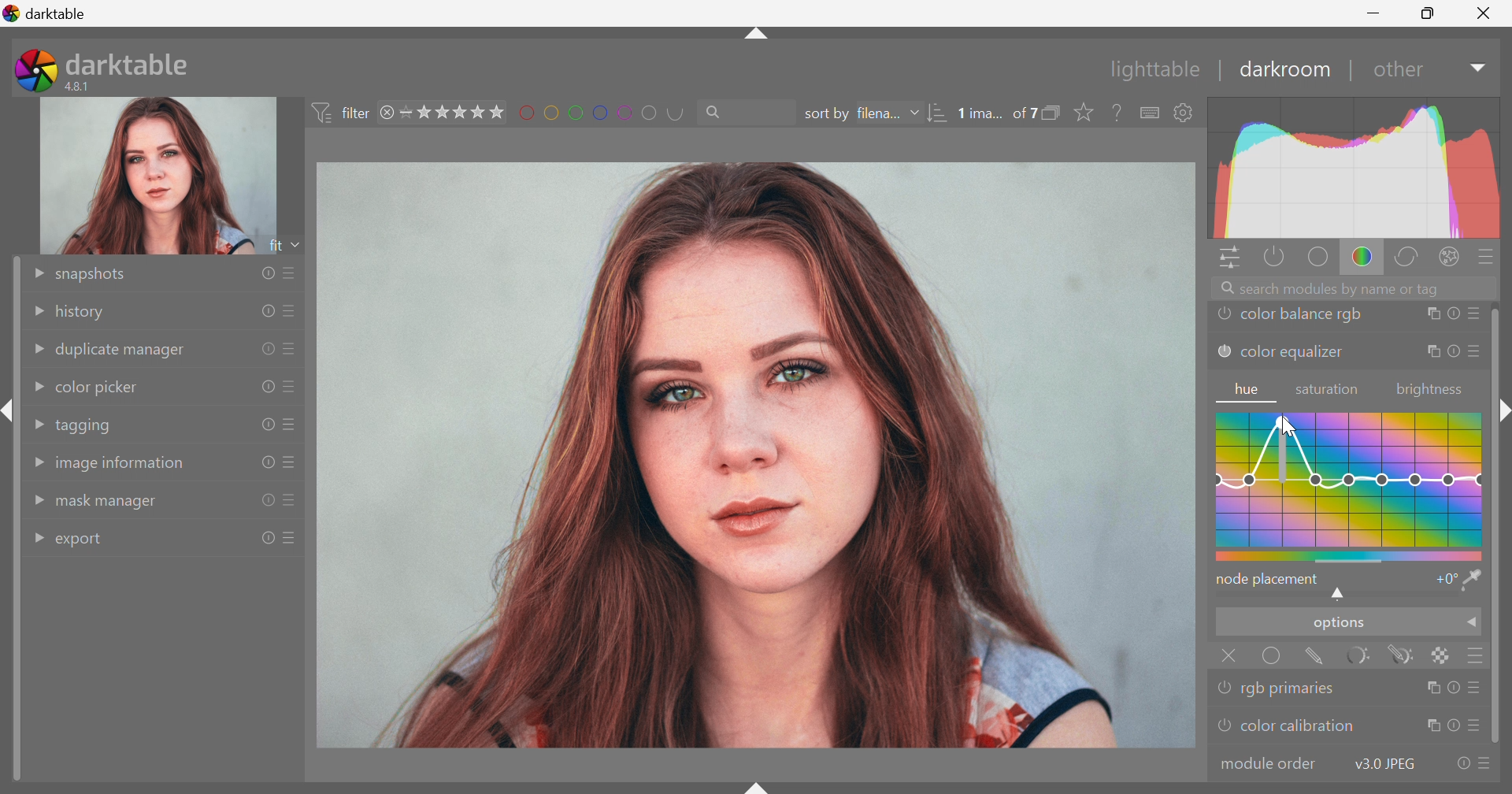 This screenshot has height=794, width=1512. What do you see at coordinates (1406, 656) in the screenshot?
I see `drawn & parametric mask` at bounding box center [1406, 656].